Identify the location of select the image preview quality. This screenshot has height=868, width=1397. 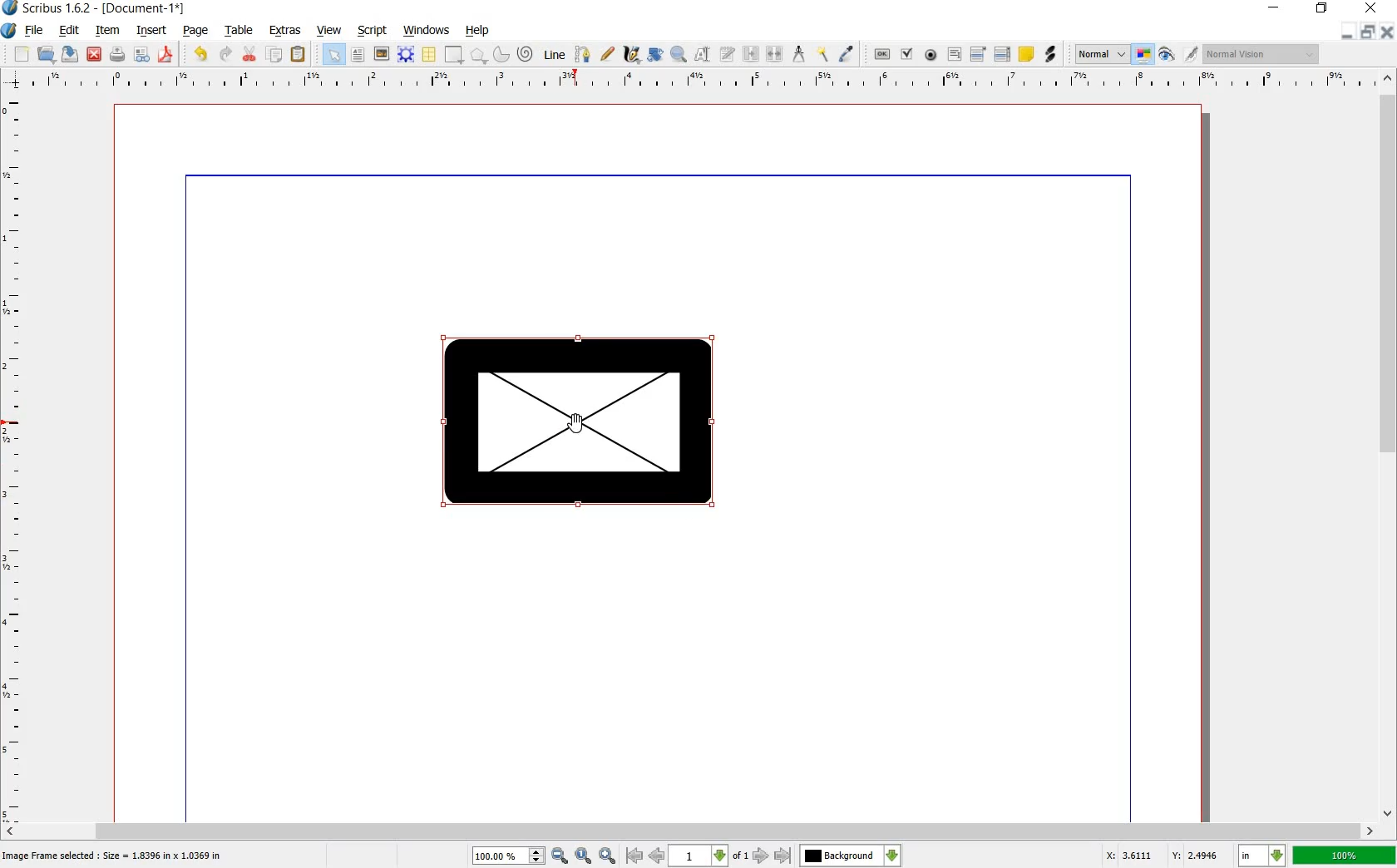
(1098, 52).